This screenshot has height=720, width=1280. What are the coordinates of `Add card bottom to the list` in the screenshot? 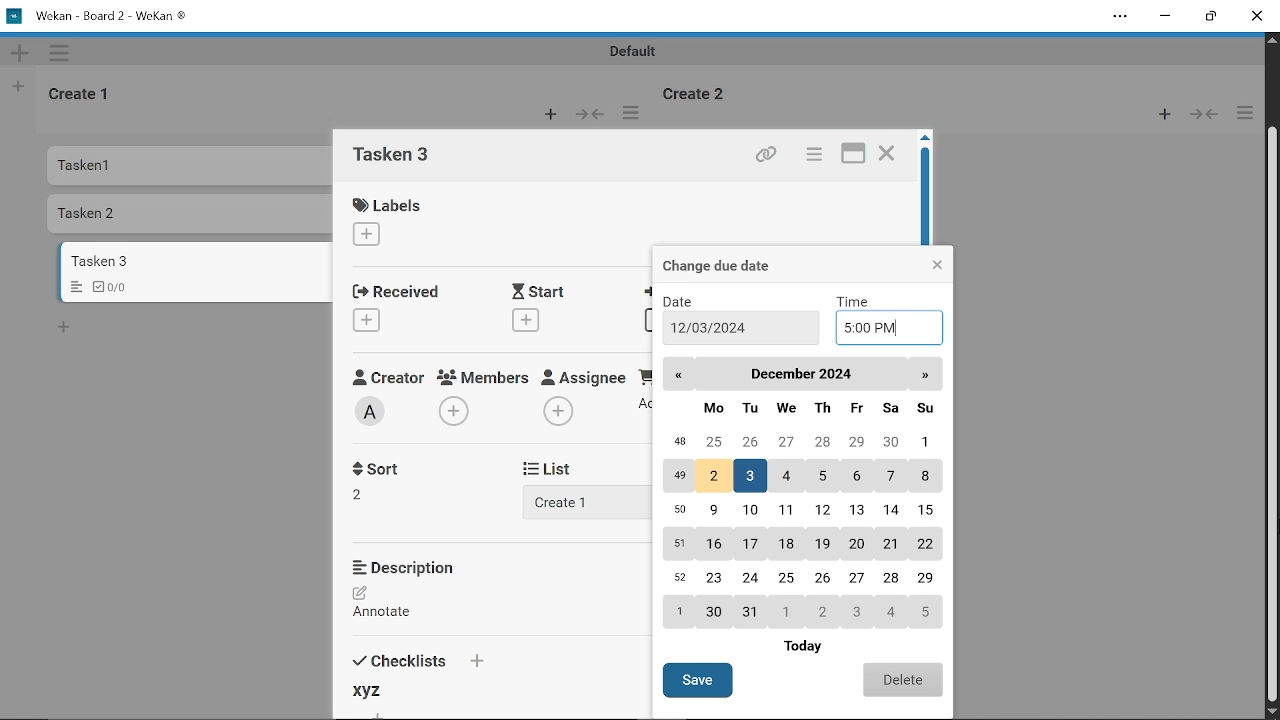 It's located at (63, 328).